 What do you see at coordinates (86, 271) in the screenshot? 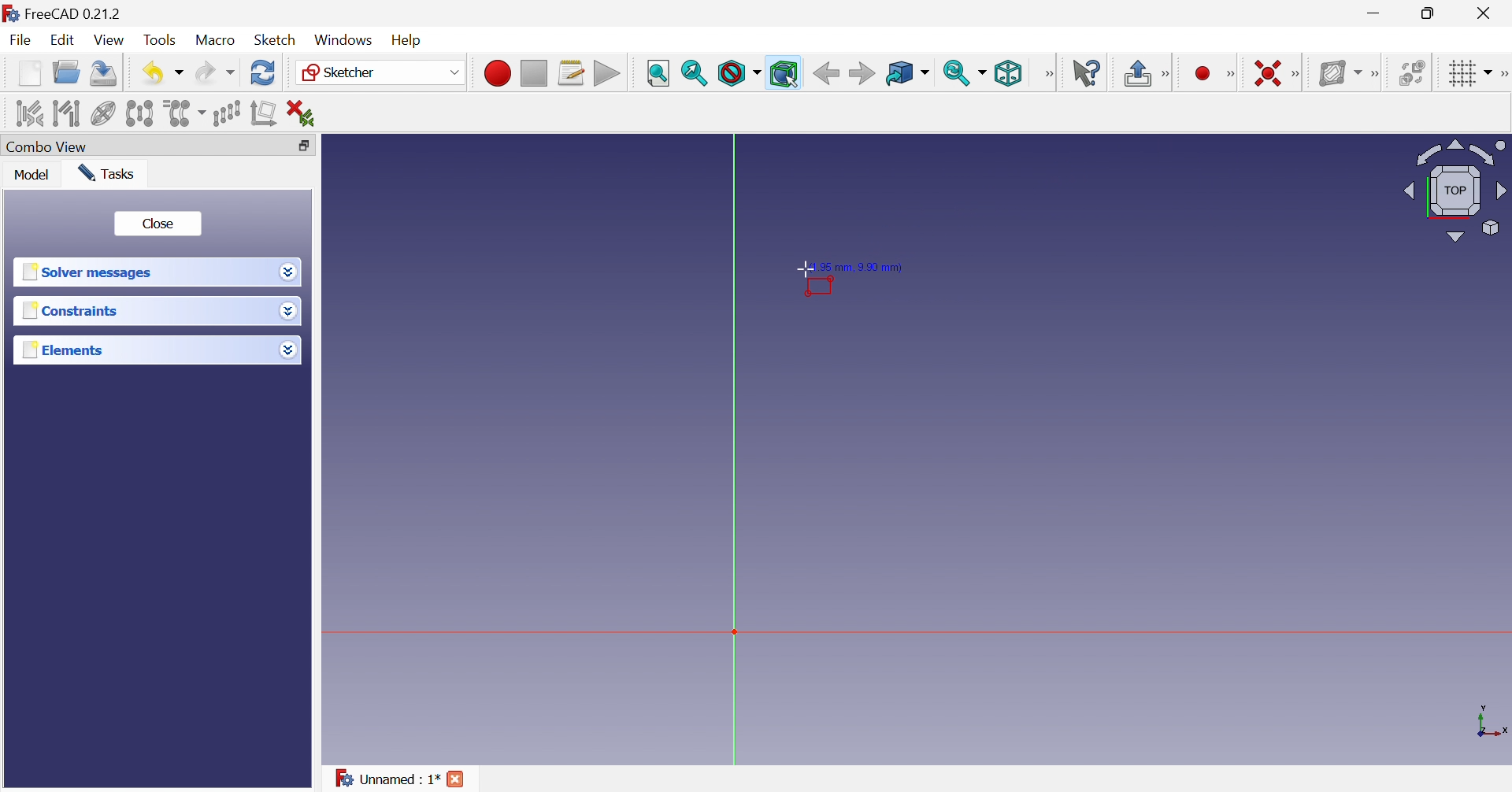
I see `Solver messages` at bounding box center [86, 271].